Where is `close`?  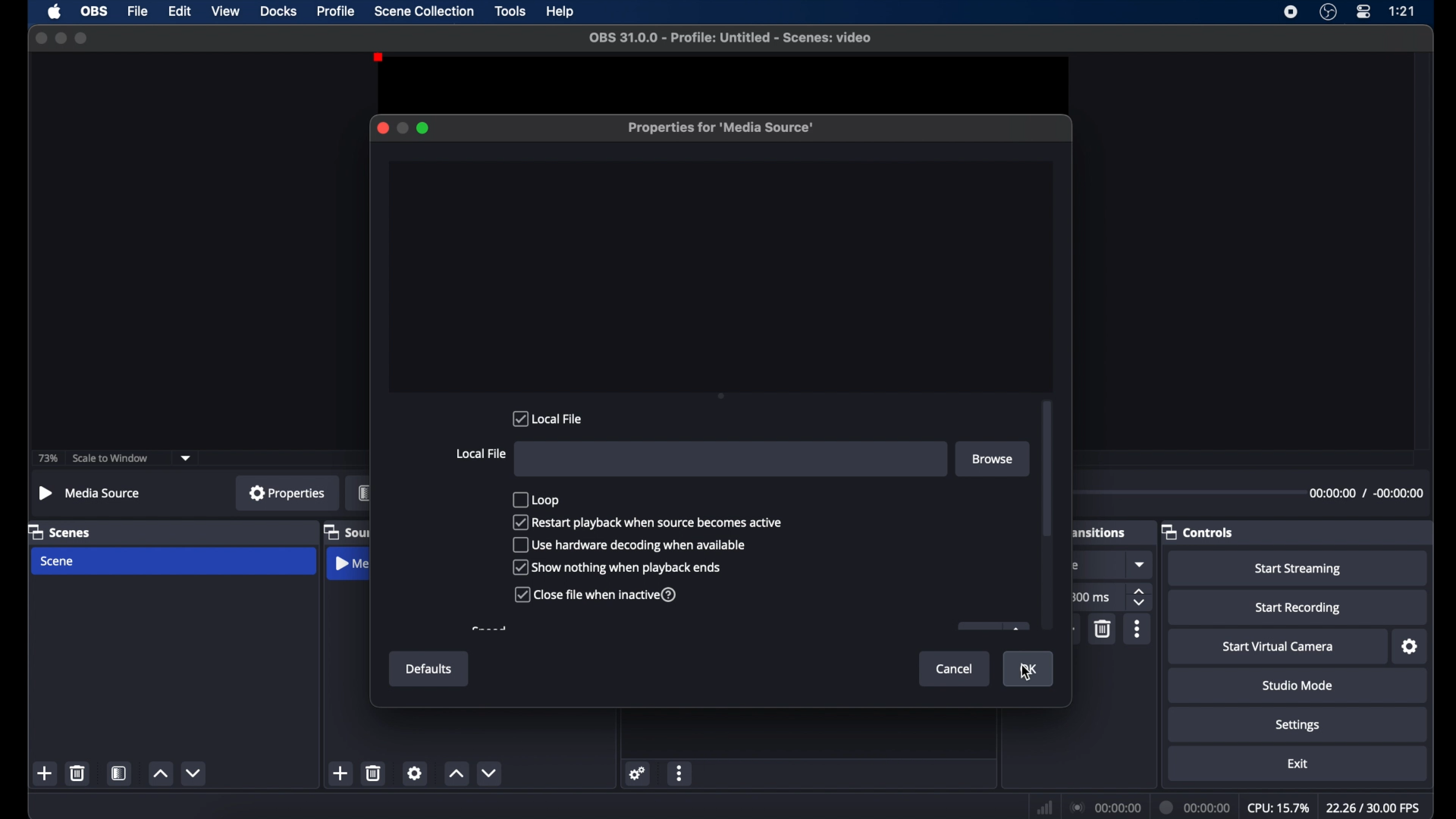 close is located at coordinates (40, 38).